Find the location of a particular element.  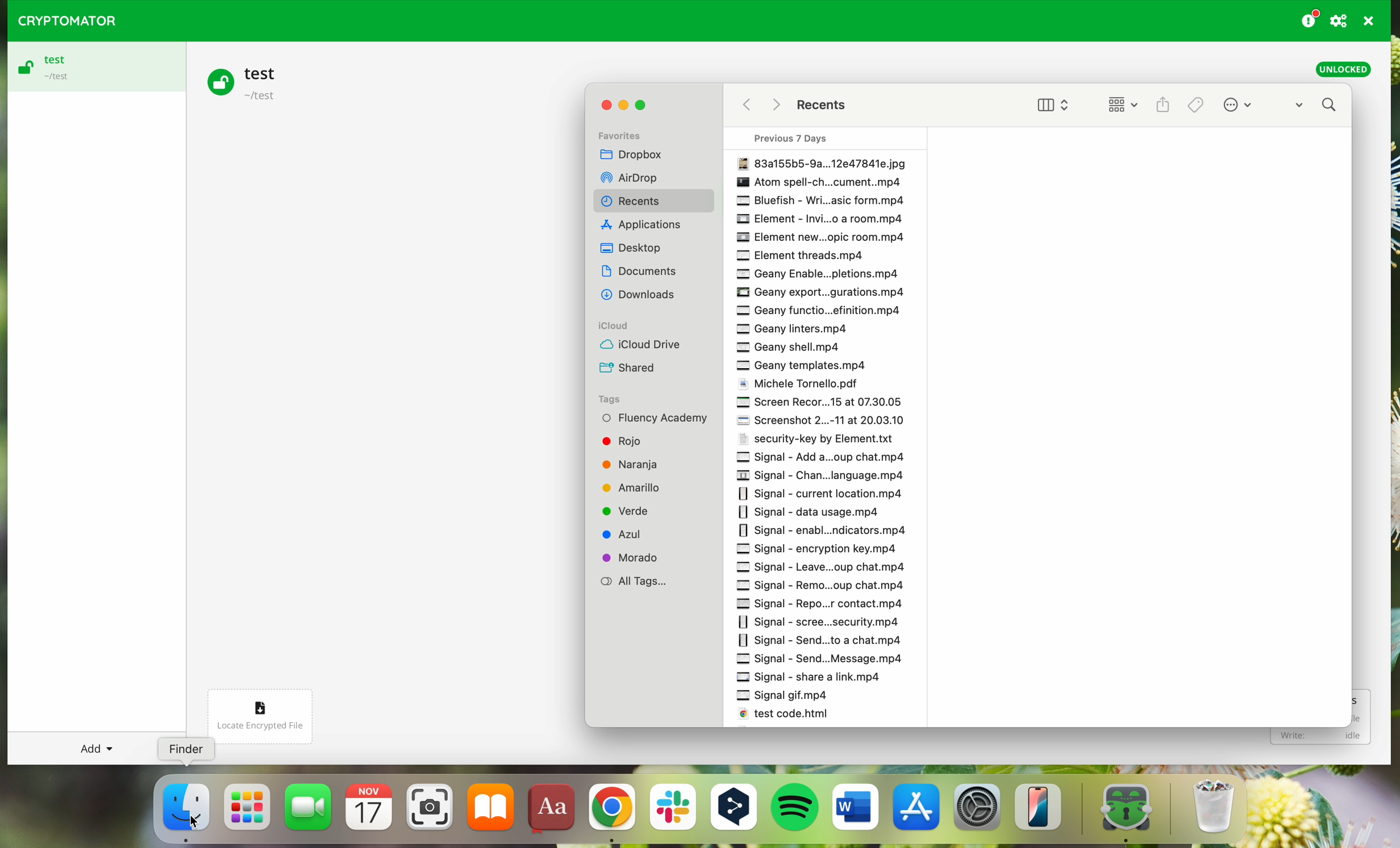

maximize is located at coordinates (644, 105).